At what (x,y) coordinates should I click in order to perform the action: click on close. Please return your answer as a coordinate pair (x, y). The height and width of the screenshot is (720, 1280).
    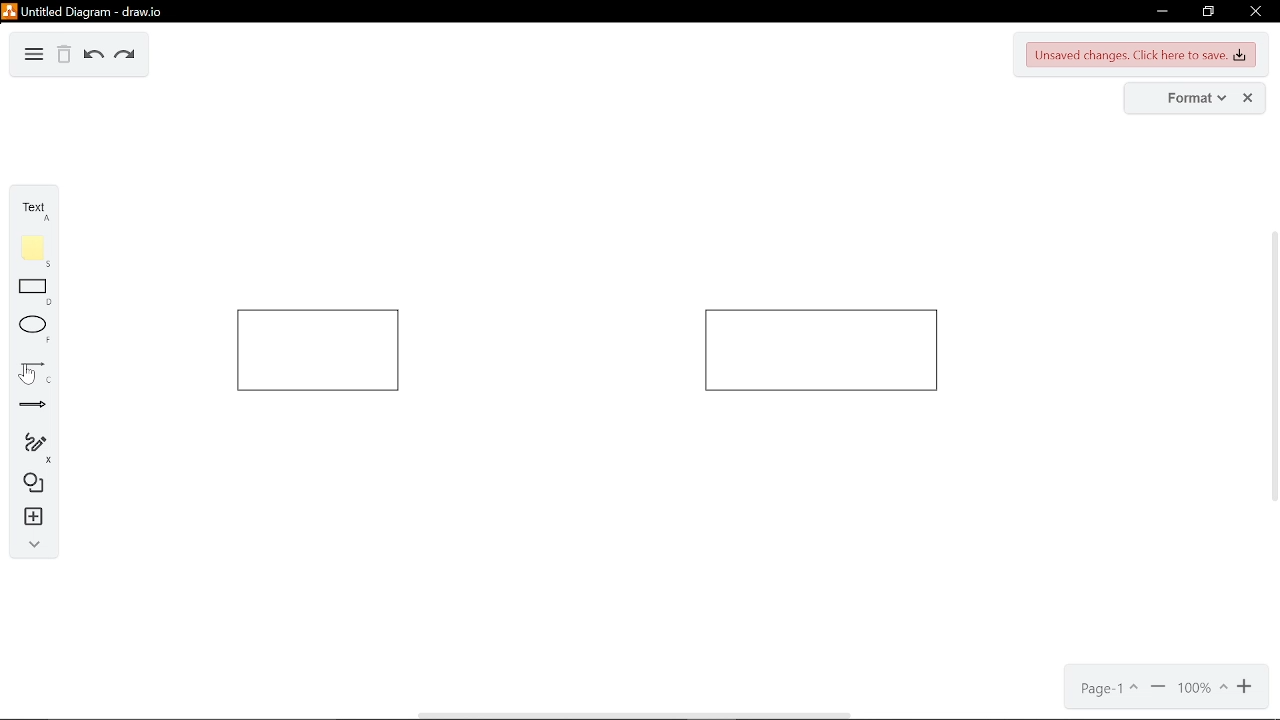
    Looking at the image, I should click on (1258, 14).